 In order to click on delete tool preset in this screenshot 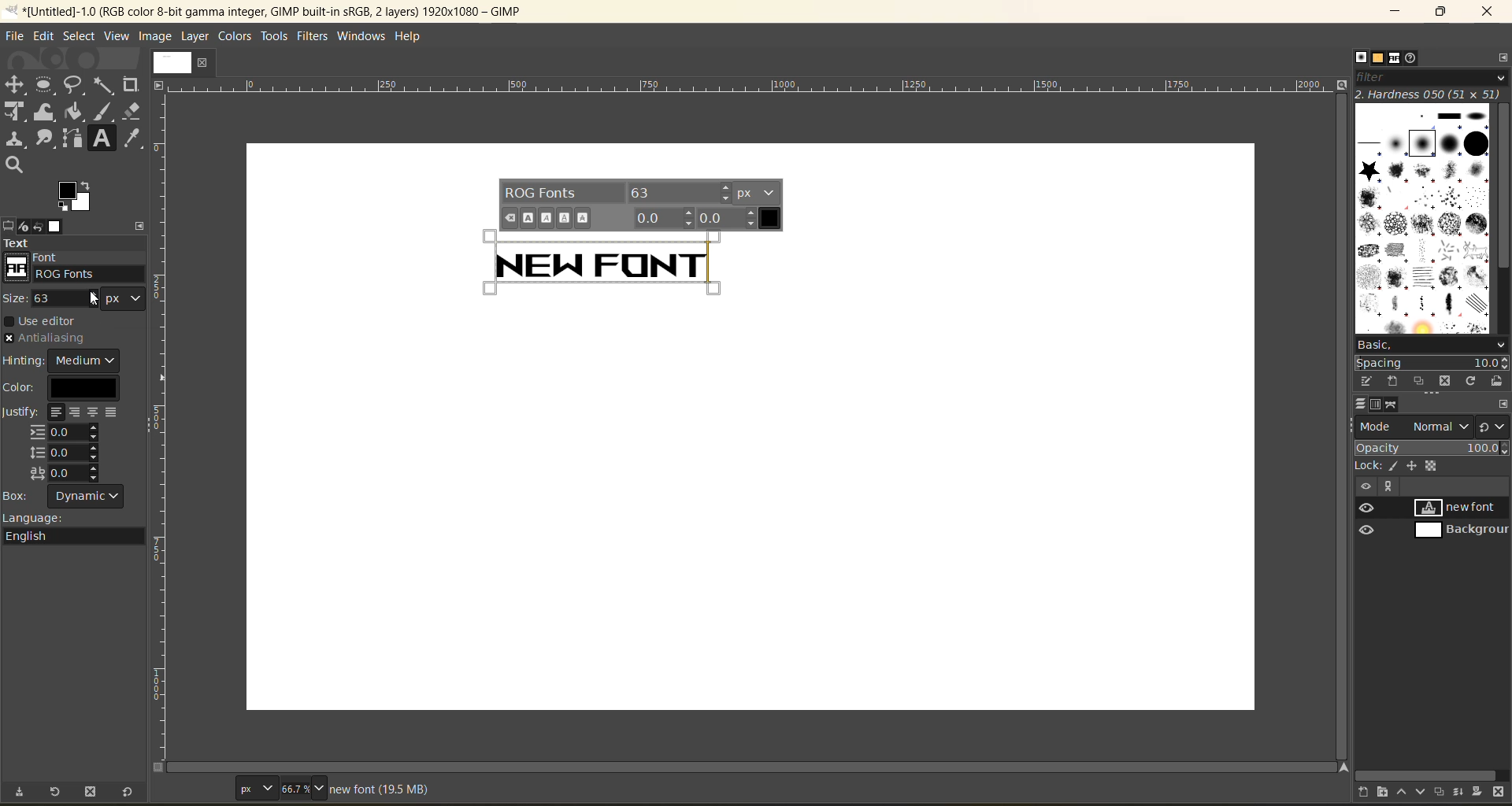, I will do `click(91, 794)`.